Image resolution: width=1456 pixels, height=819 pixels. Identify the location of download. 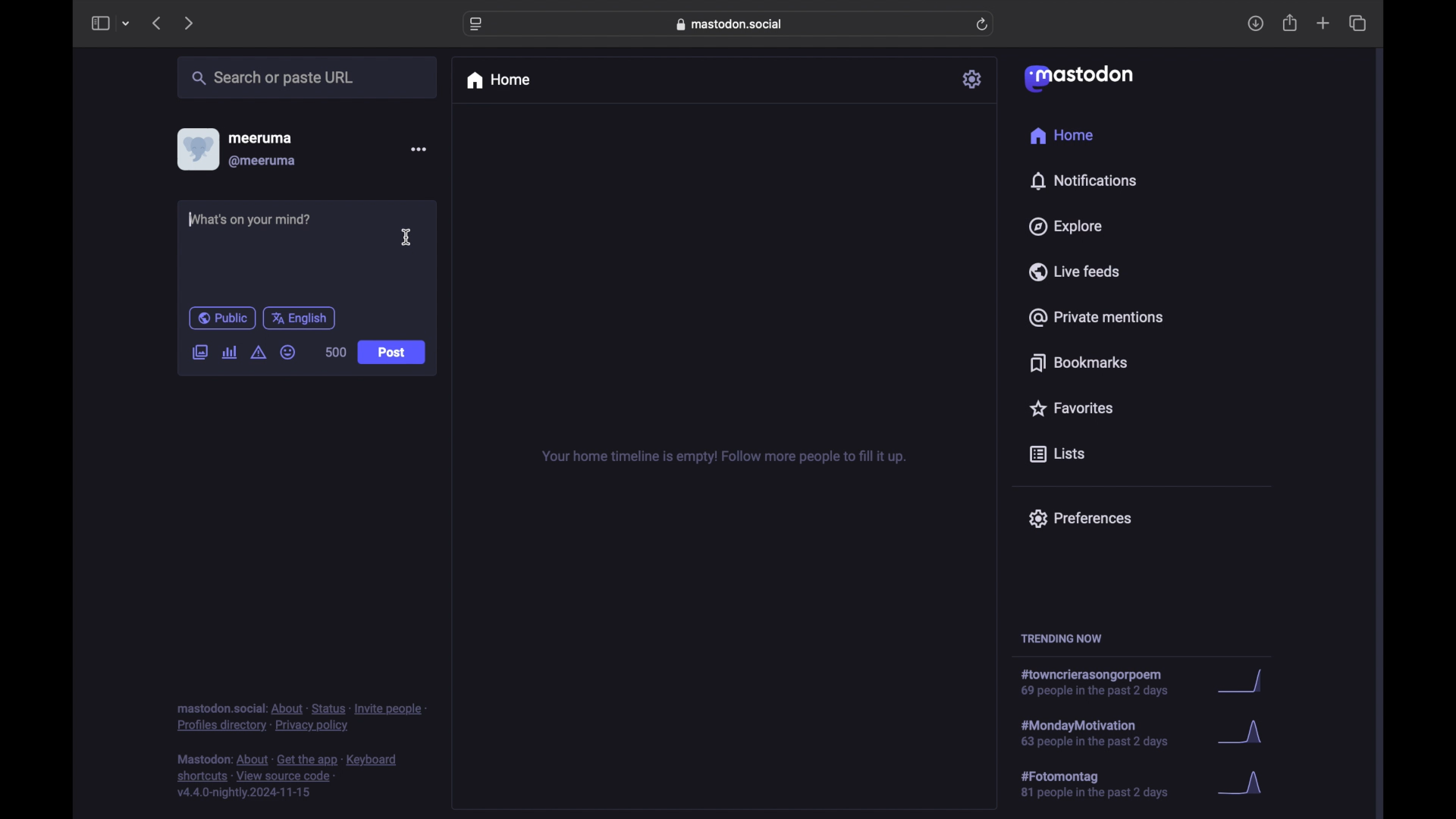
(1256, 24).